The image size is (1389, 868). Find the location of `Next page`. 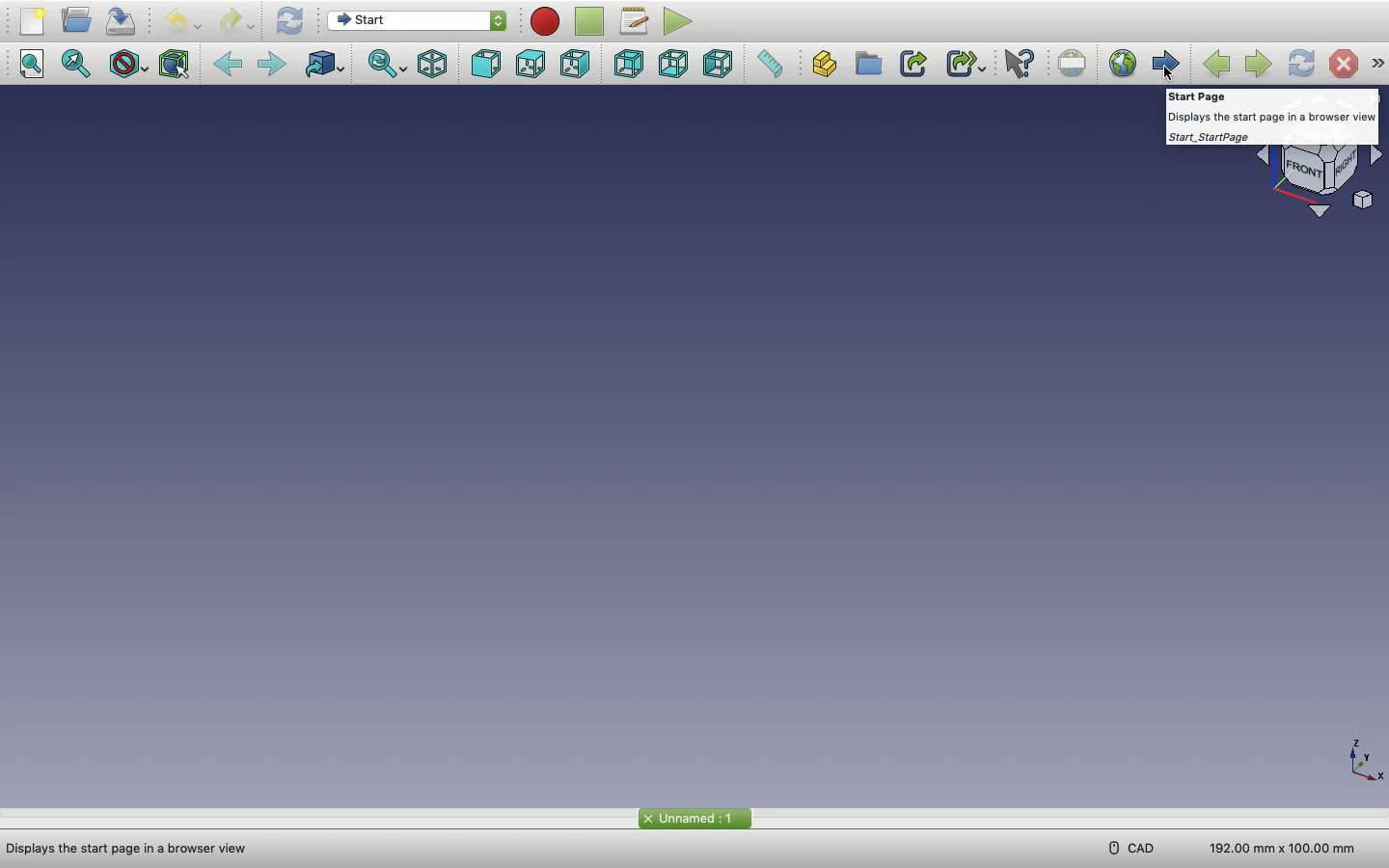

Next page is located at coordinates (1258, 66).